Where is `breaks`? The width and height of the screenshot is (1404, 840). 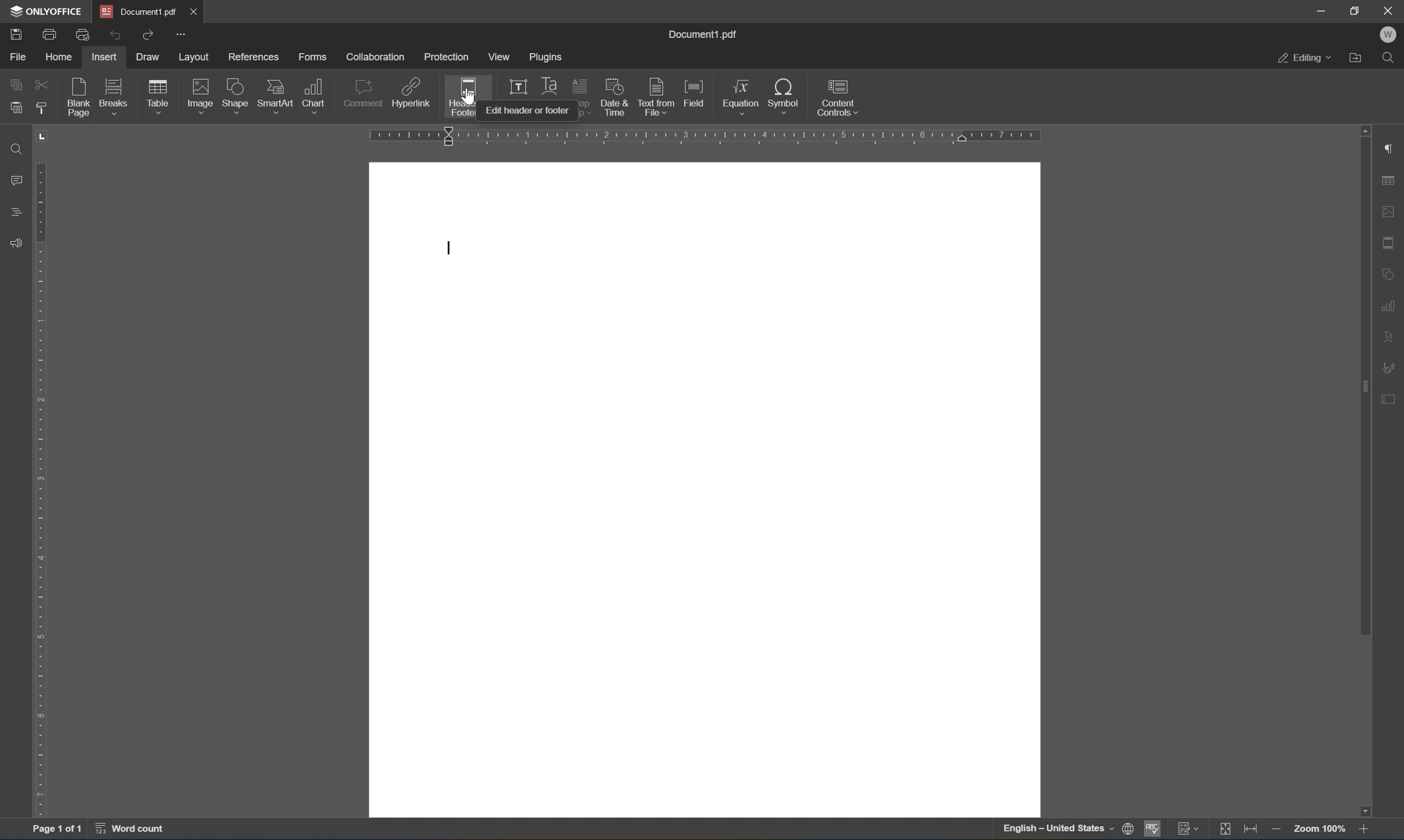 breaks is located at coordinates (115, 97).